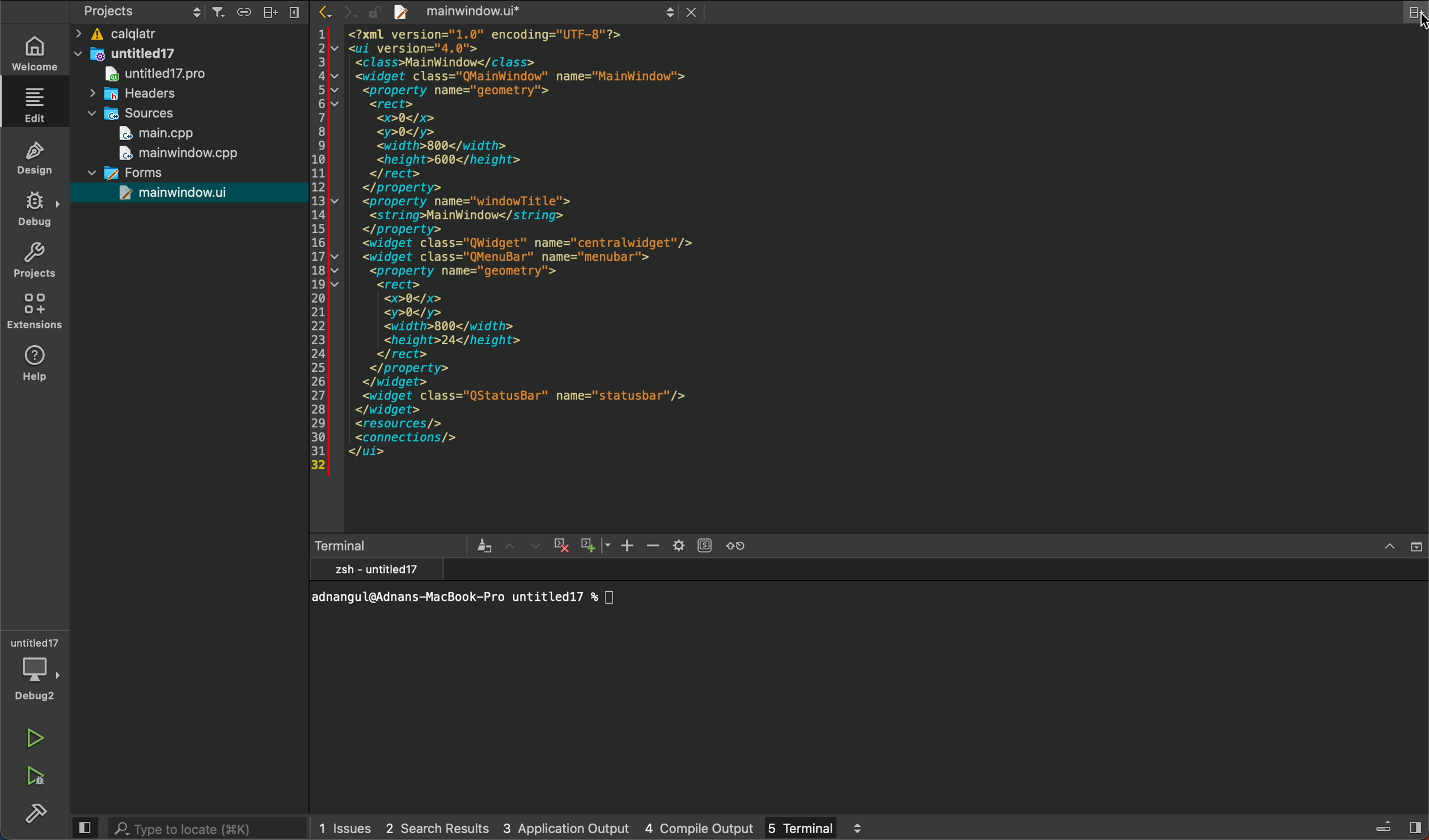 This screenshot has width=1429, height=840. I want to click on debugger, so click(35, 667).